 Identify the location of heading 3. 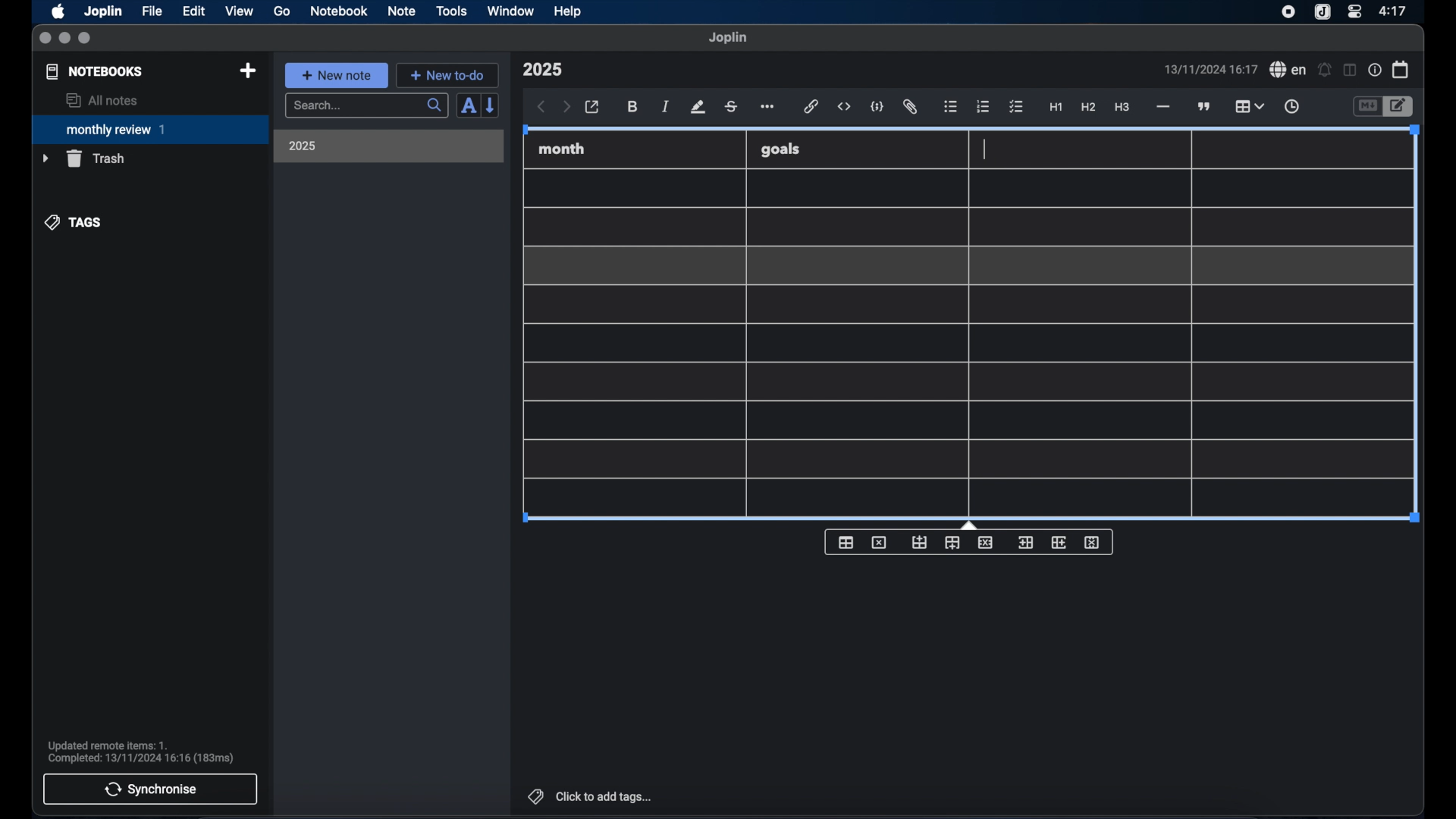
(1122, 108).